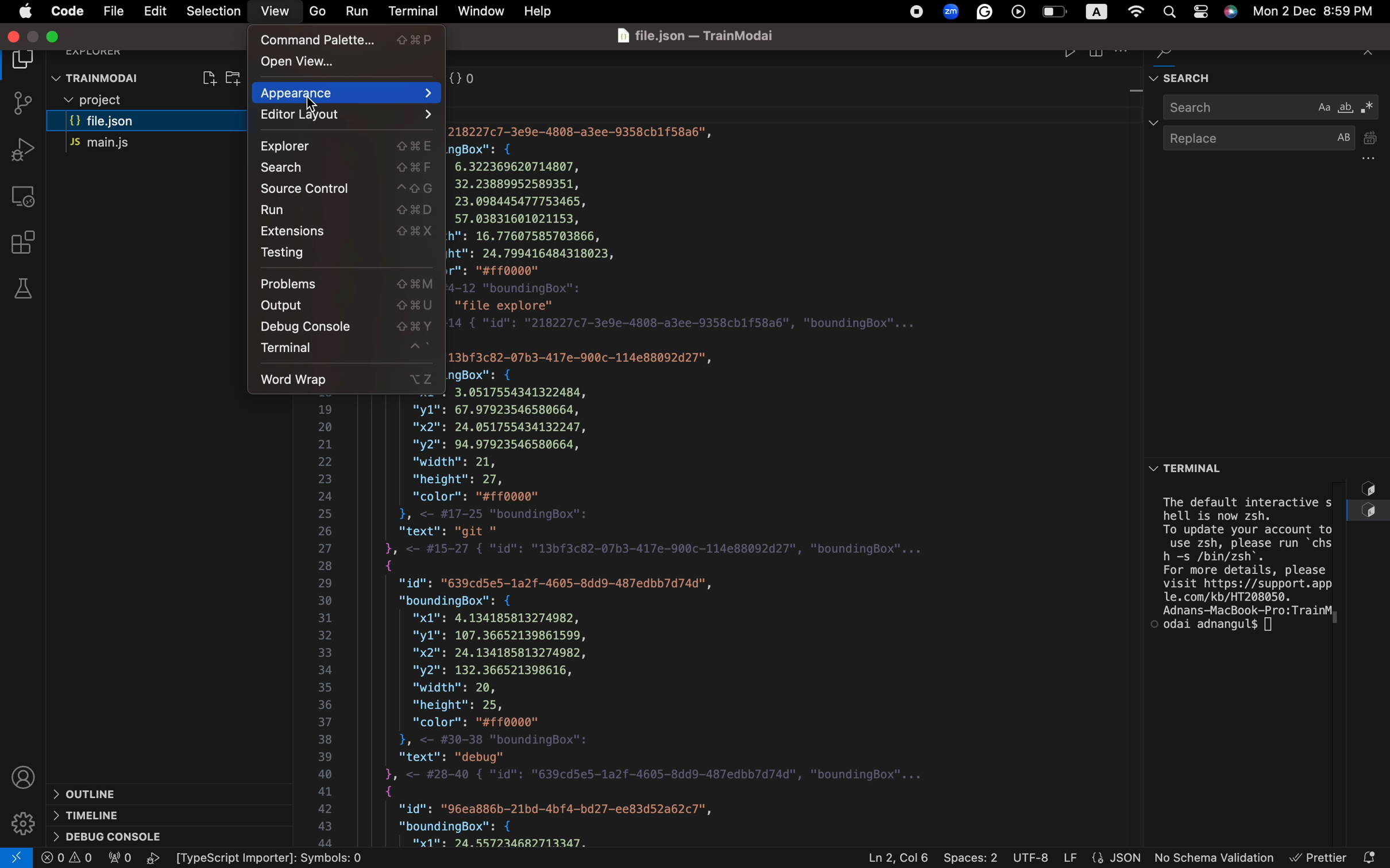  I want to click on file explorer , so click(27, 61).